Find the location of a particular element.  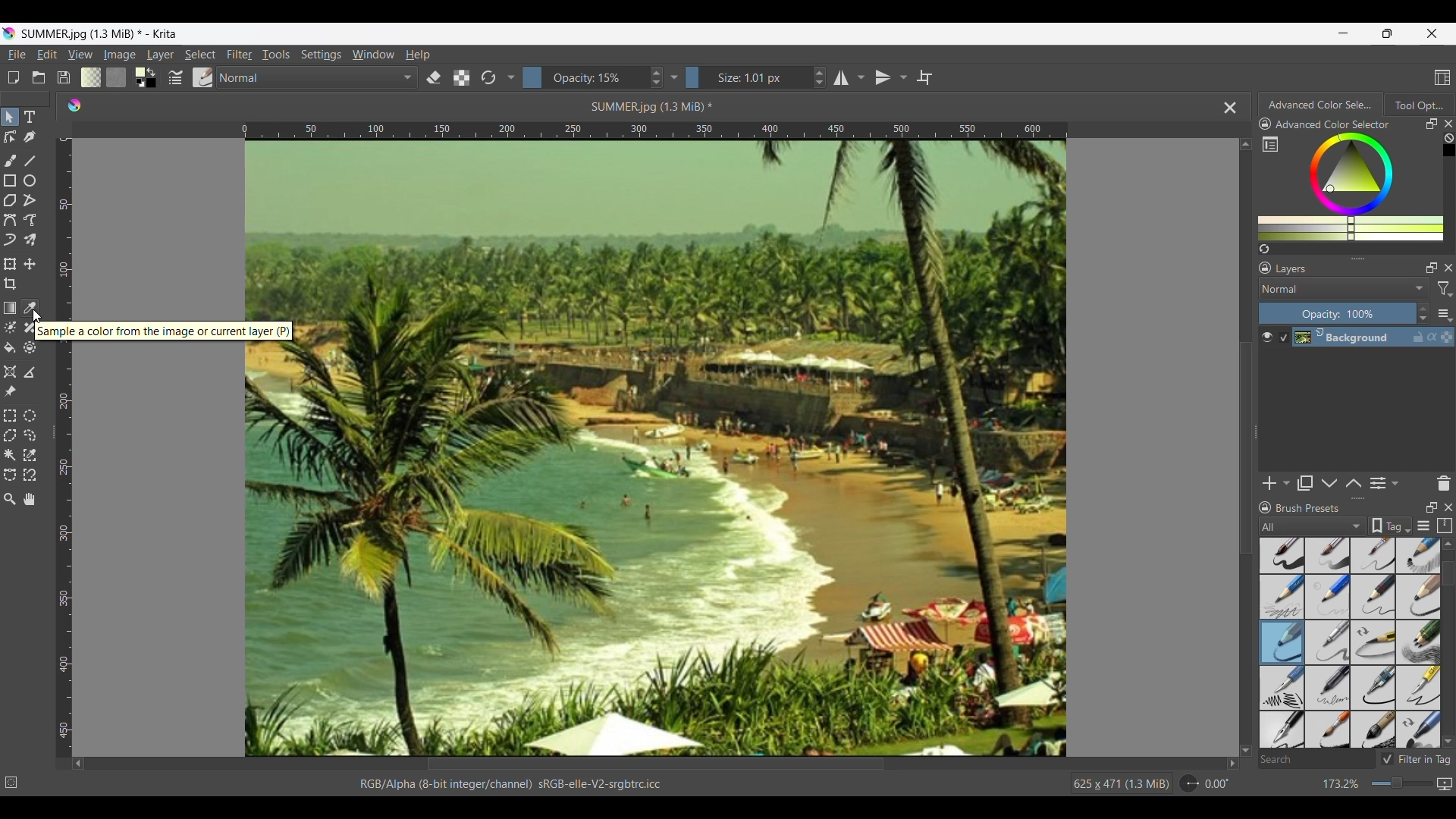

Text tool is located at coordinates (30, 118).